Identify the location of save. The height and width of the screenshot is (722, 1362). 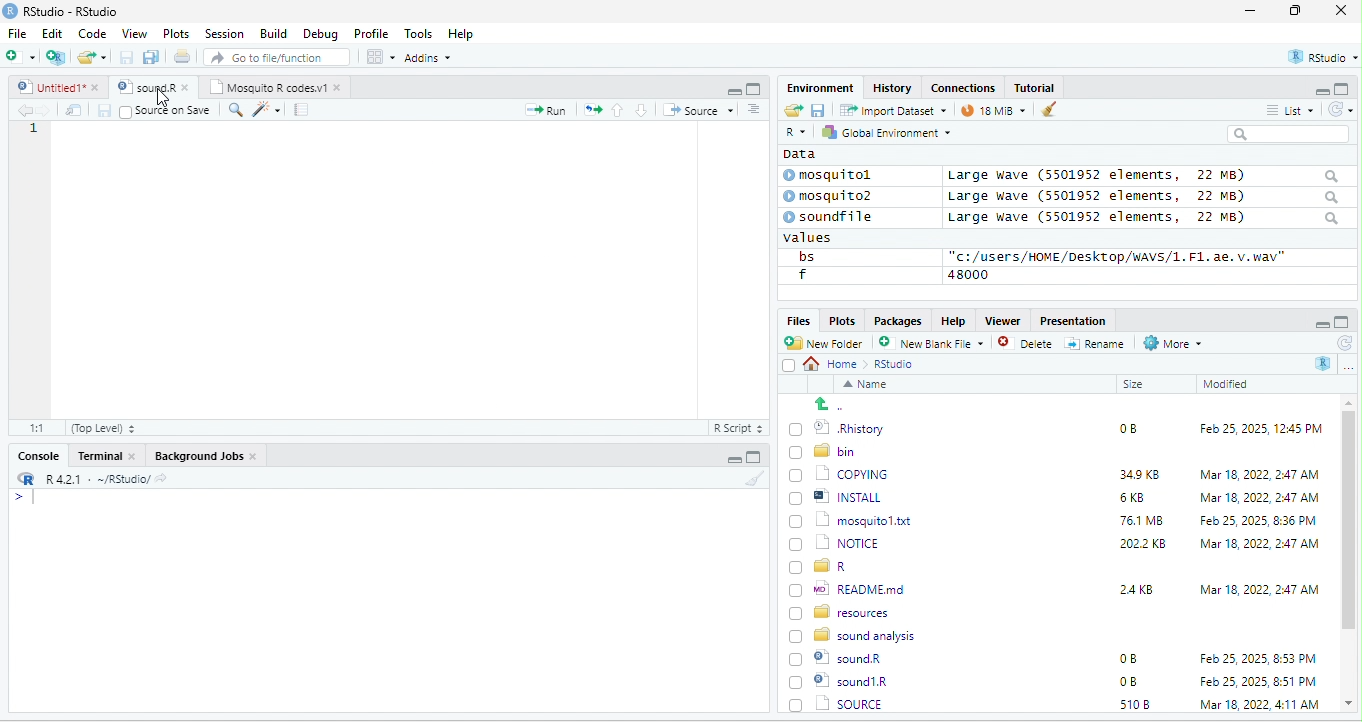
(817, 109).